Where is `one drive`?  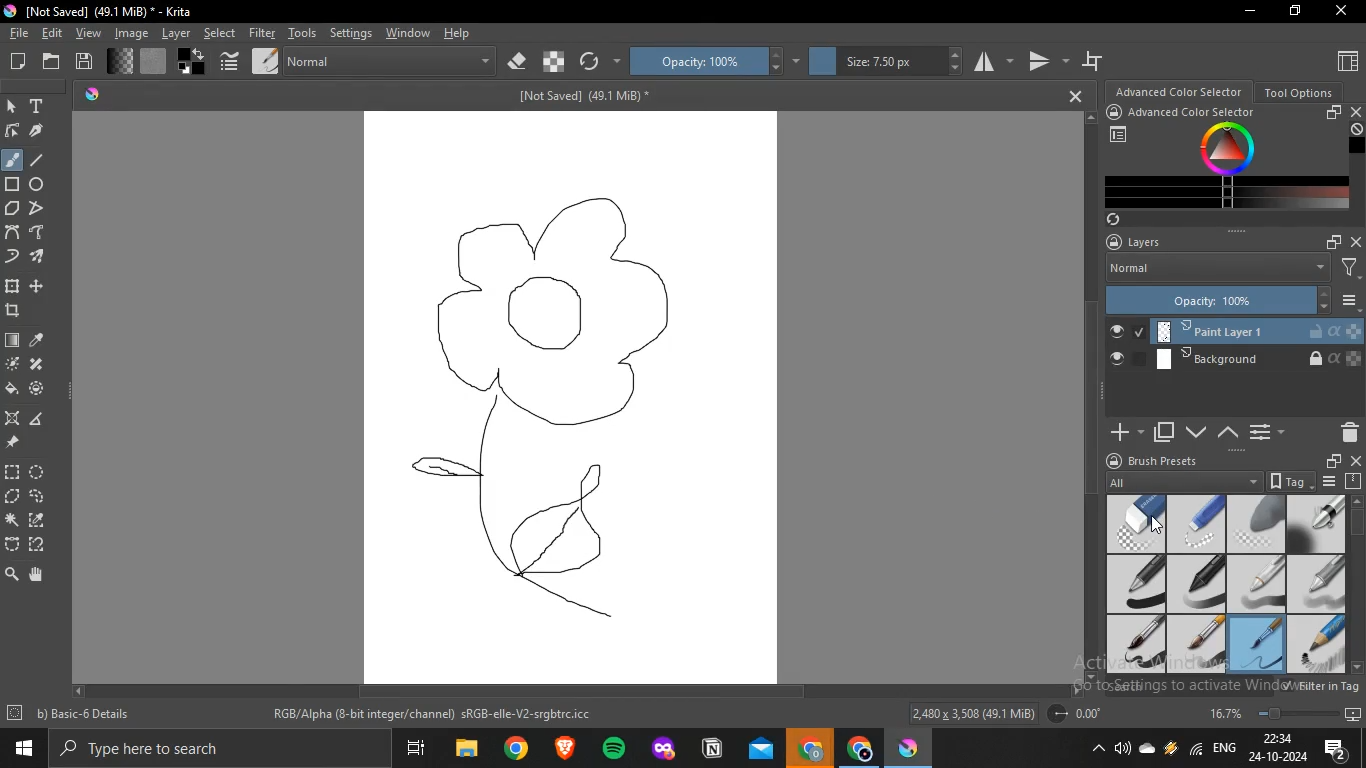 one drive is located at coordinates (1148, 748).